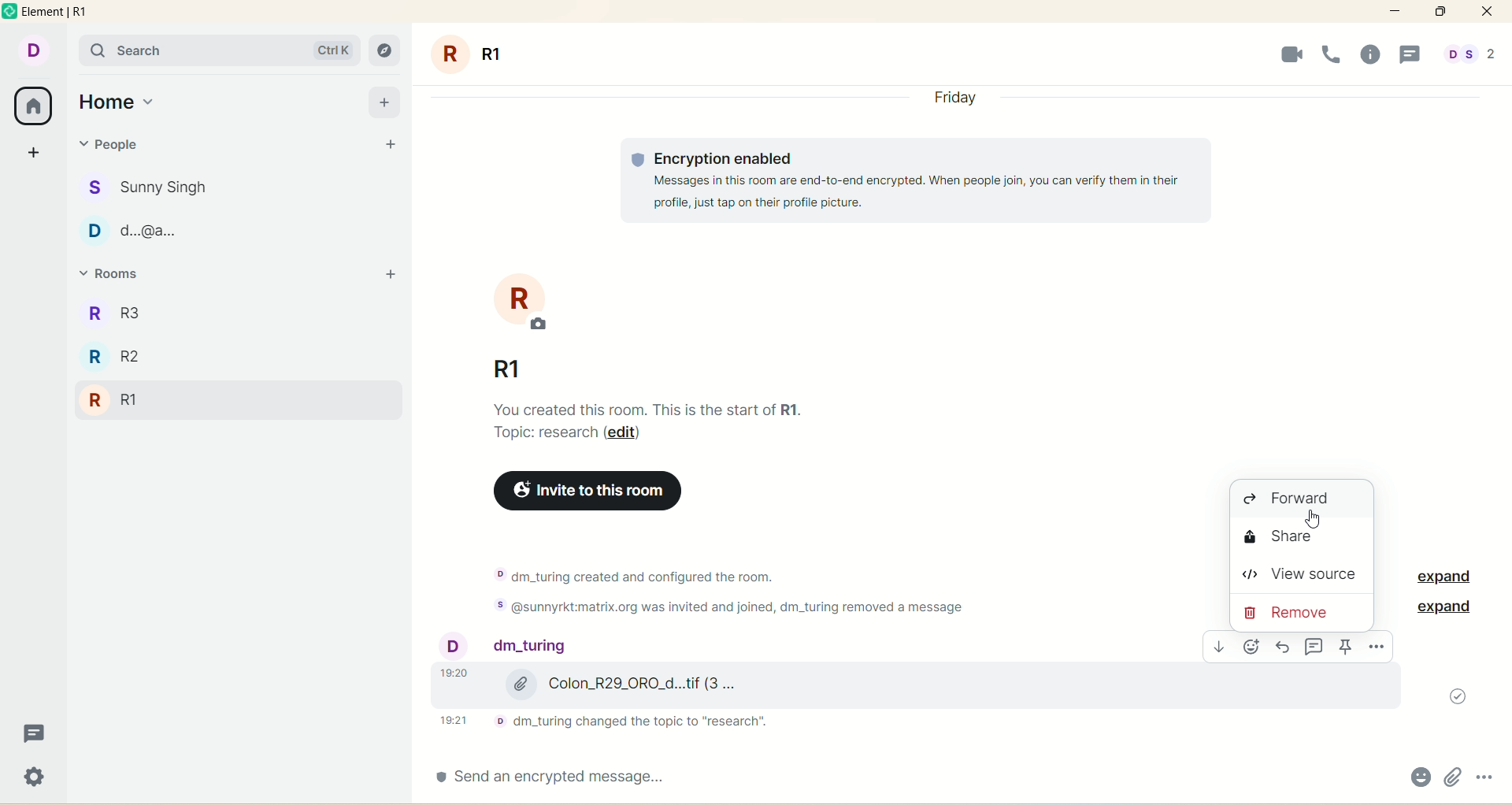 The width and height of the screenshot is (1512, 805). What do you see at coordinates (1443, 608) in the screenshot?
I see `expand` at bounding box center [1443, 608].